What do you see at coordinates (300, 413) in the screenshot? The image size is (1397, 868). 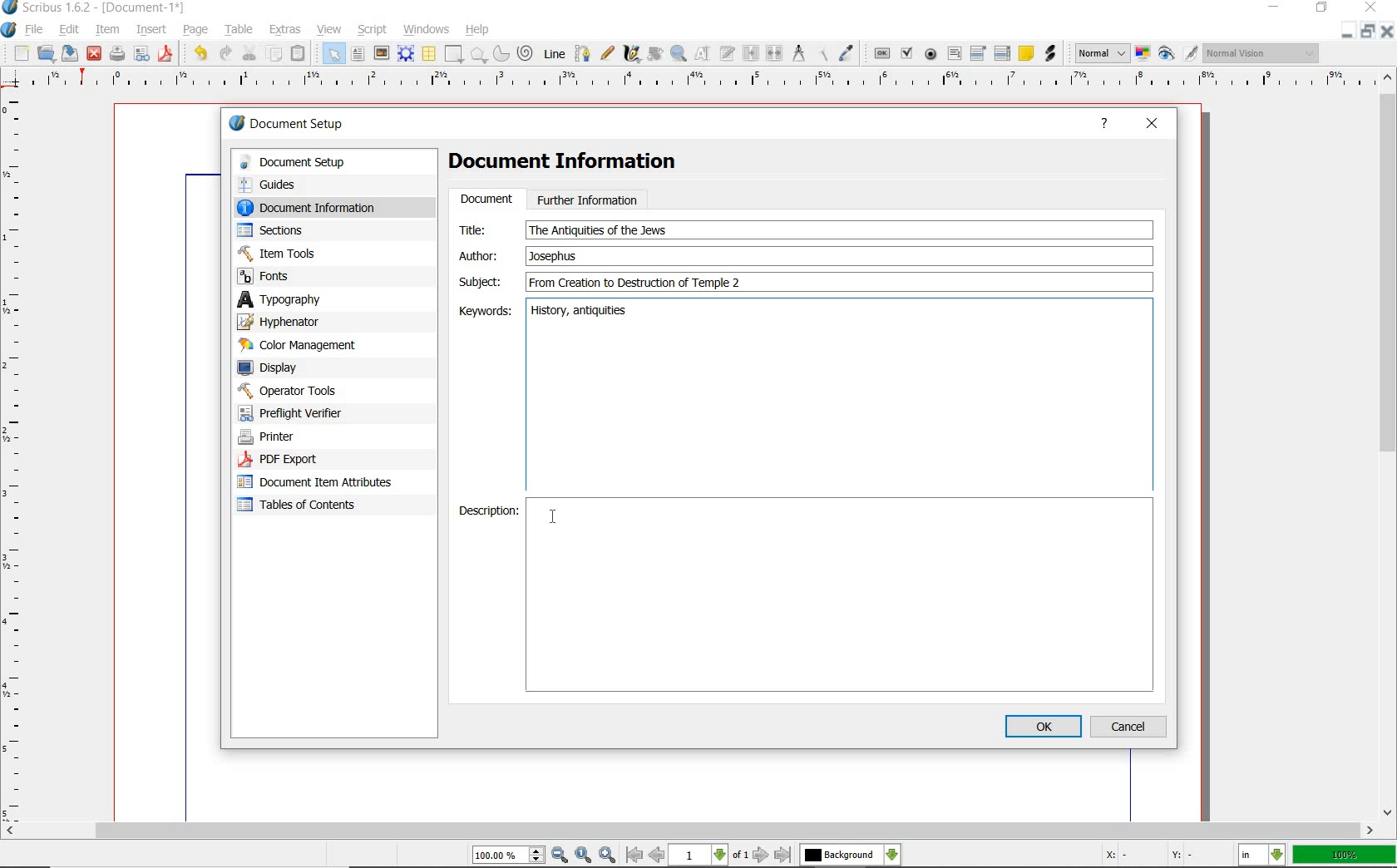 I see `preflight verifier` at bounding box center [300, 413].